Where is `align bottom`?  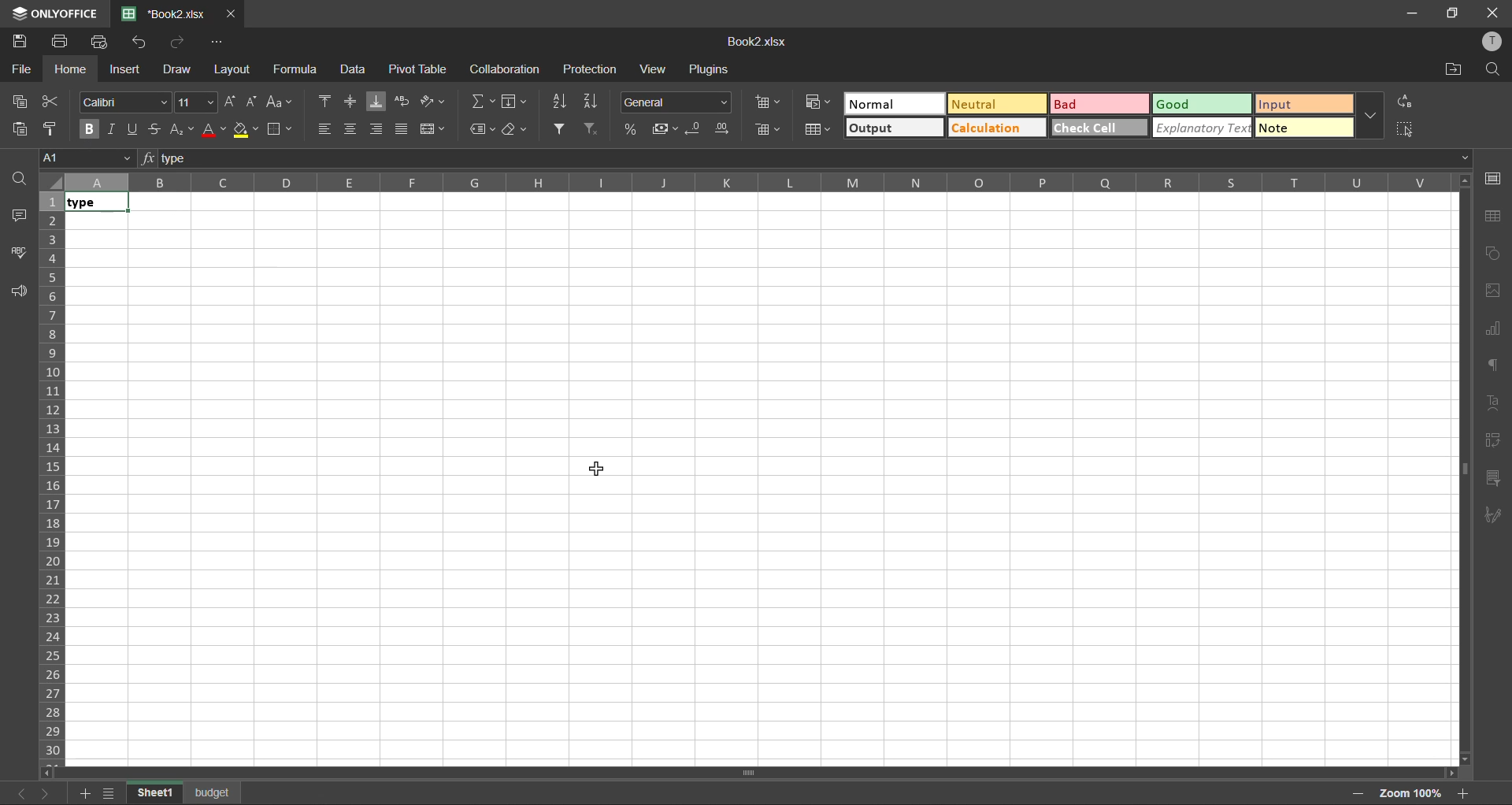 align bottom is located at coordinates (377, 102).